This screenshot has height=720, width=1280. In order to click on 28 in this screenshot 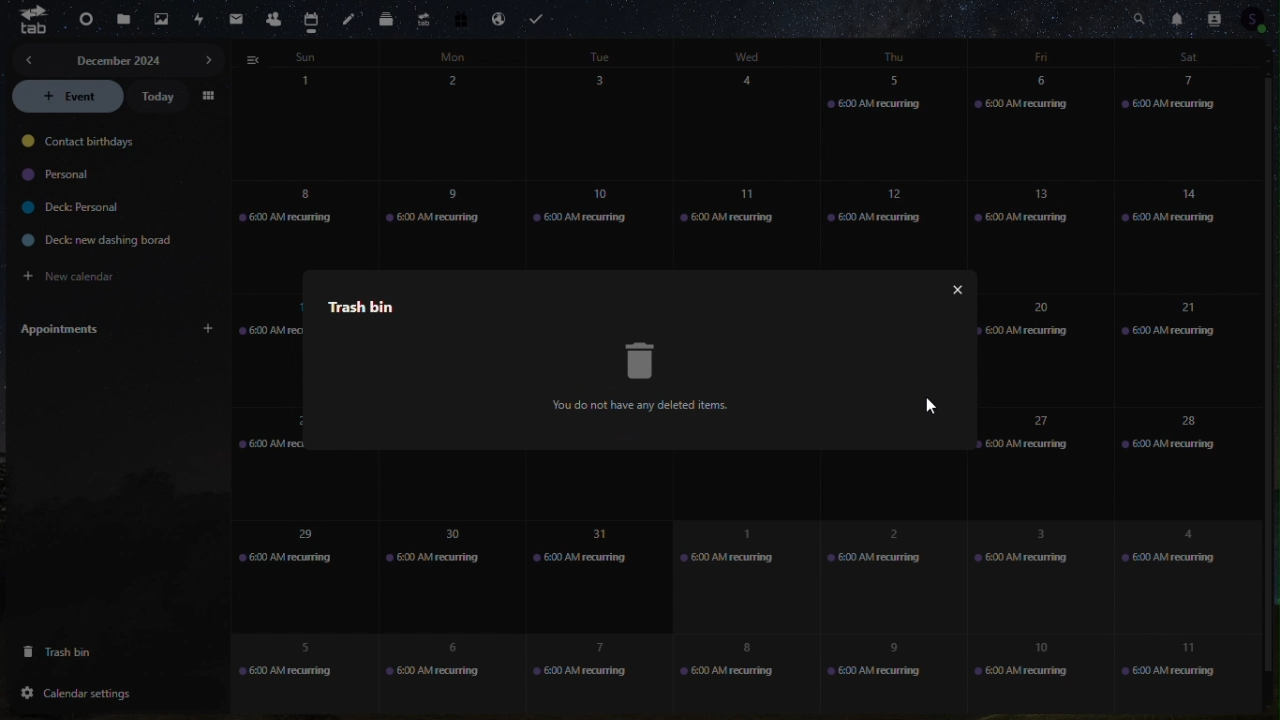, I will do `click(1186, 451)`.